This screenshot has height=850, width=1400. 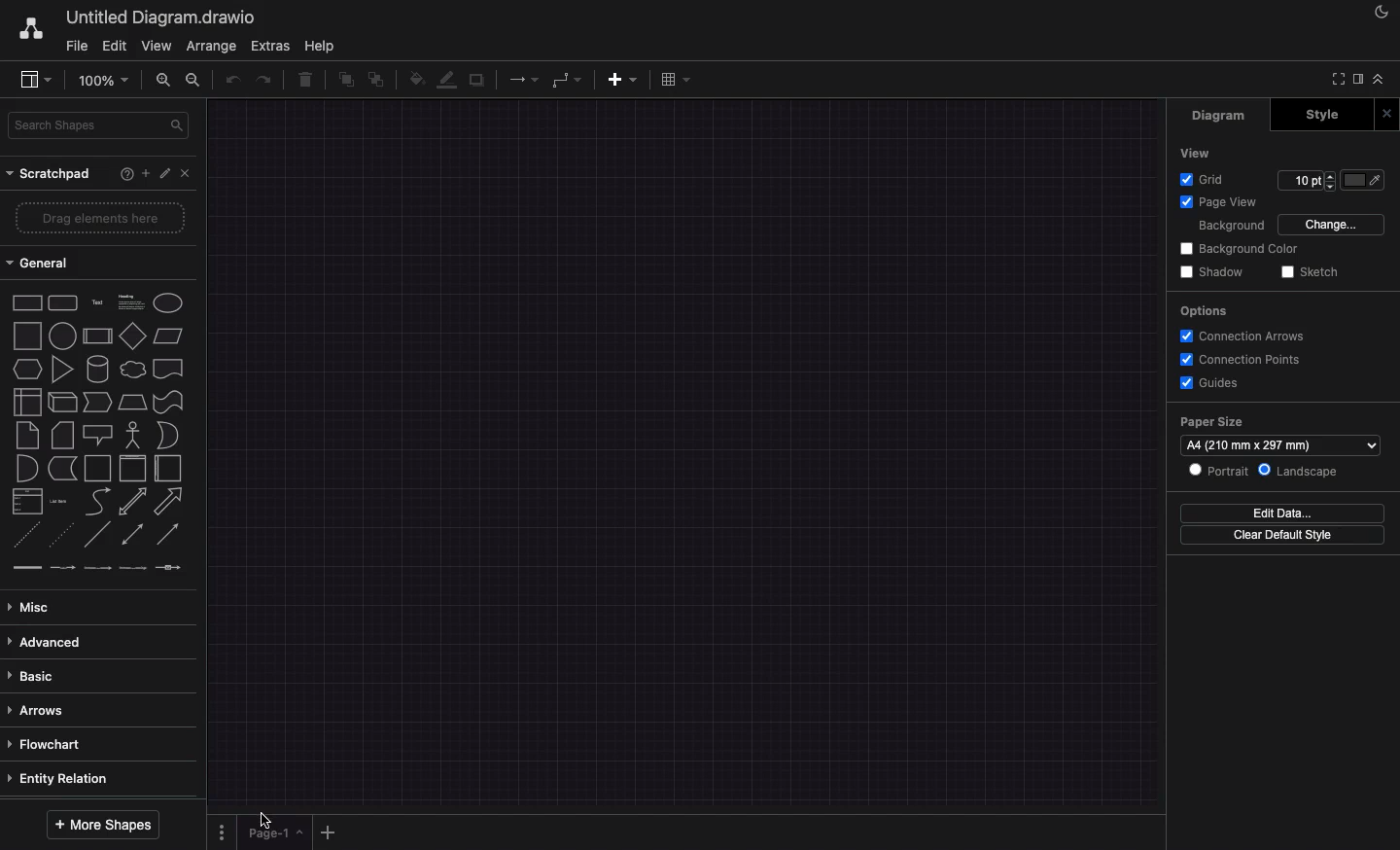 What do you see at coordinates (328, 832) in the screenshot?
I see `add page` at bounding box center [328, 832].